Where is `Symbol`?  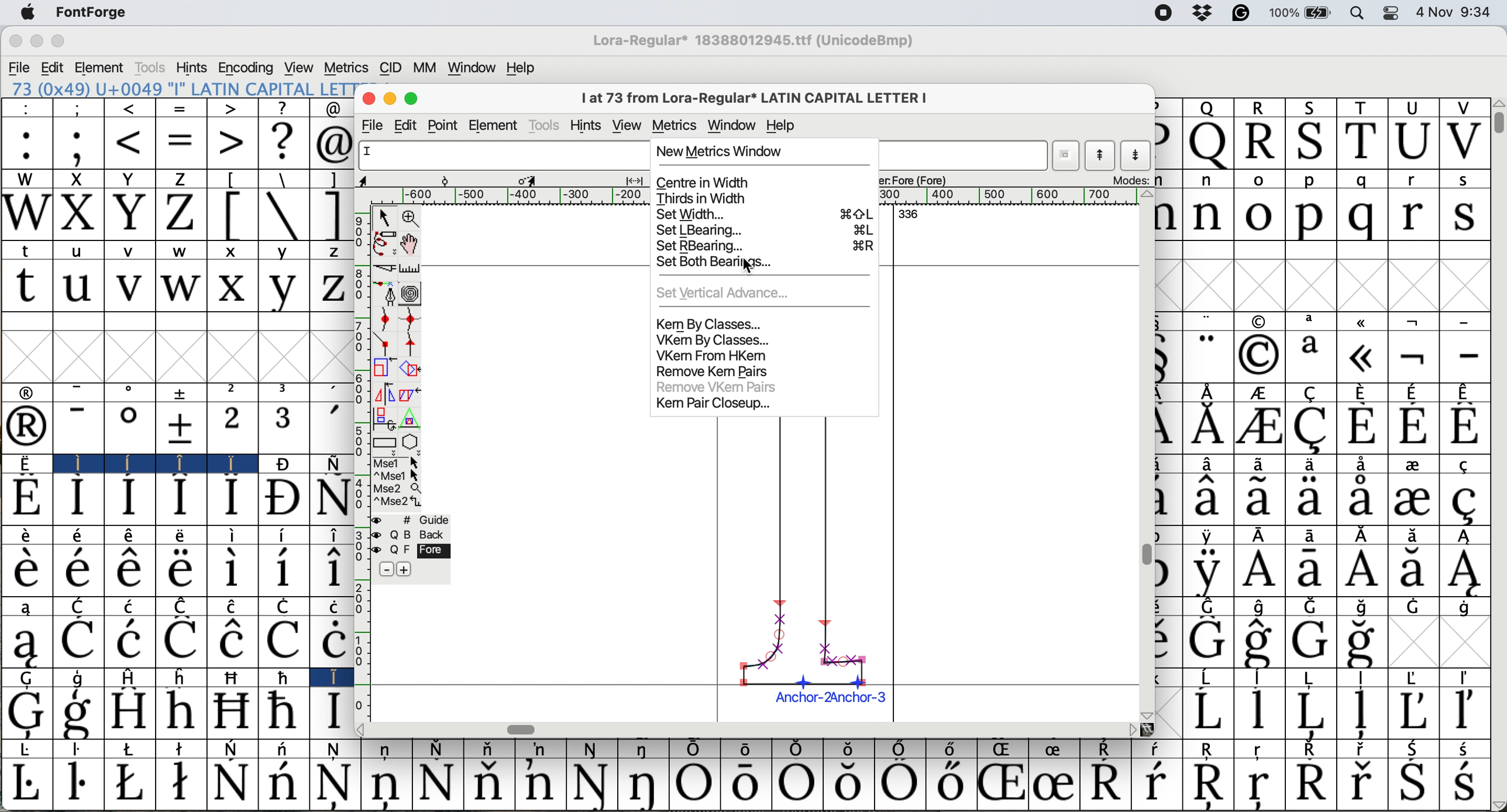
Symbol is located at coordinates (1108, 782).